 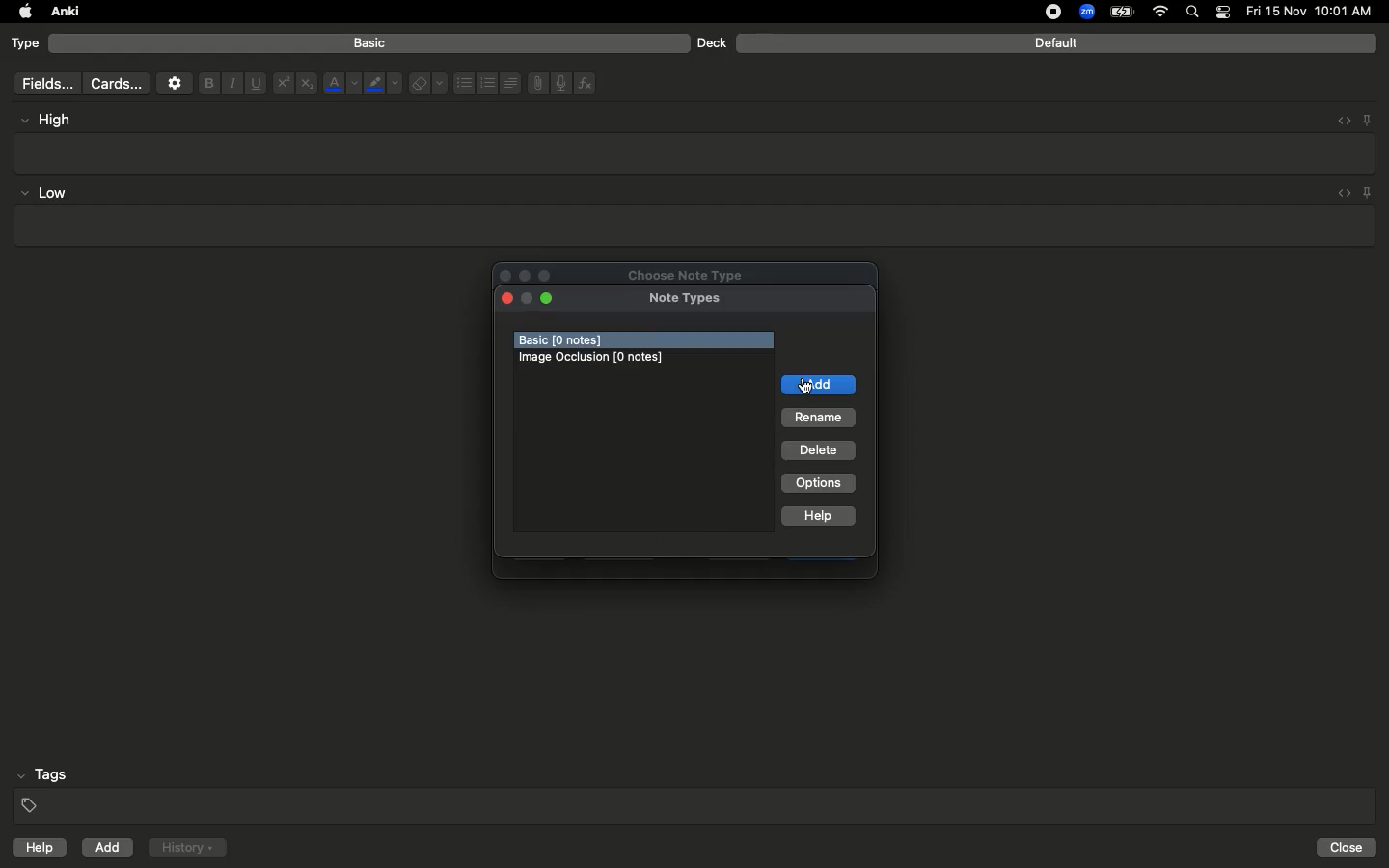 I want to click on Image occlusion, so click(x=593, y=357).